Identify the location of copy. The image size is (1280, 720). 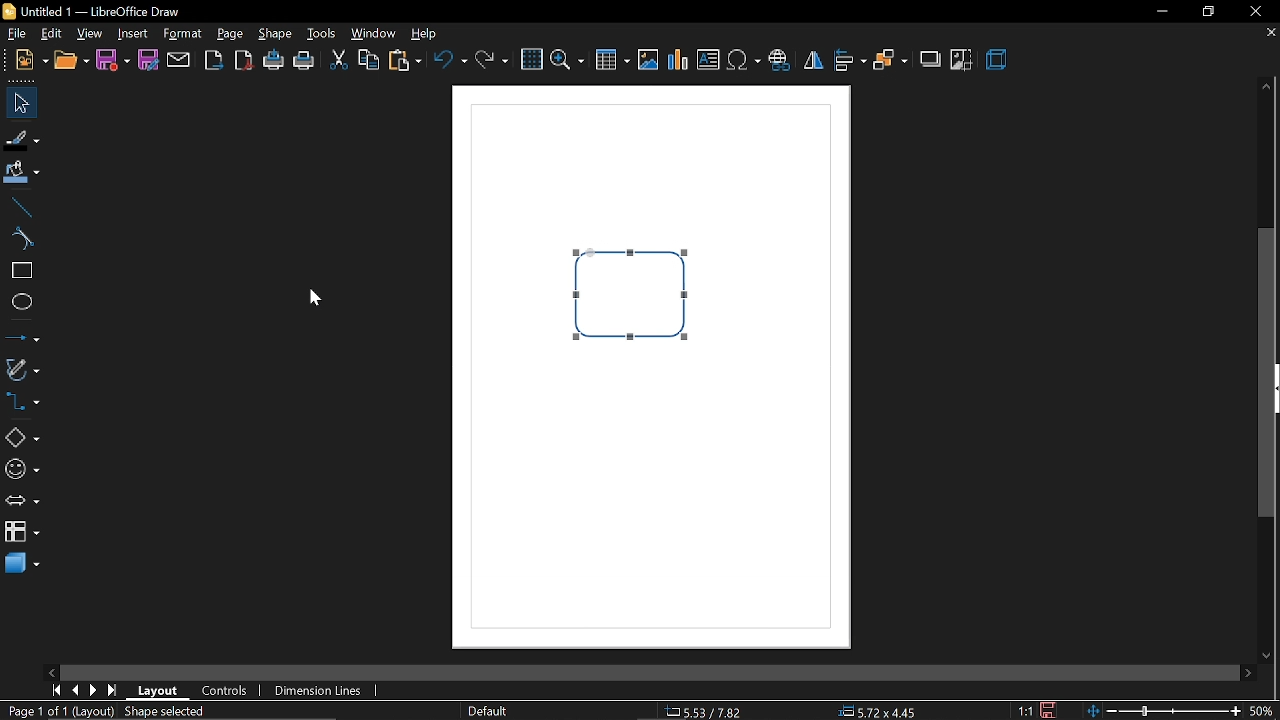
(369, 59).